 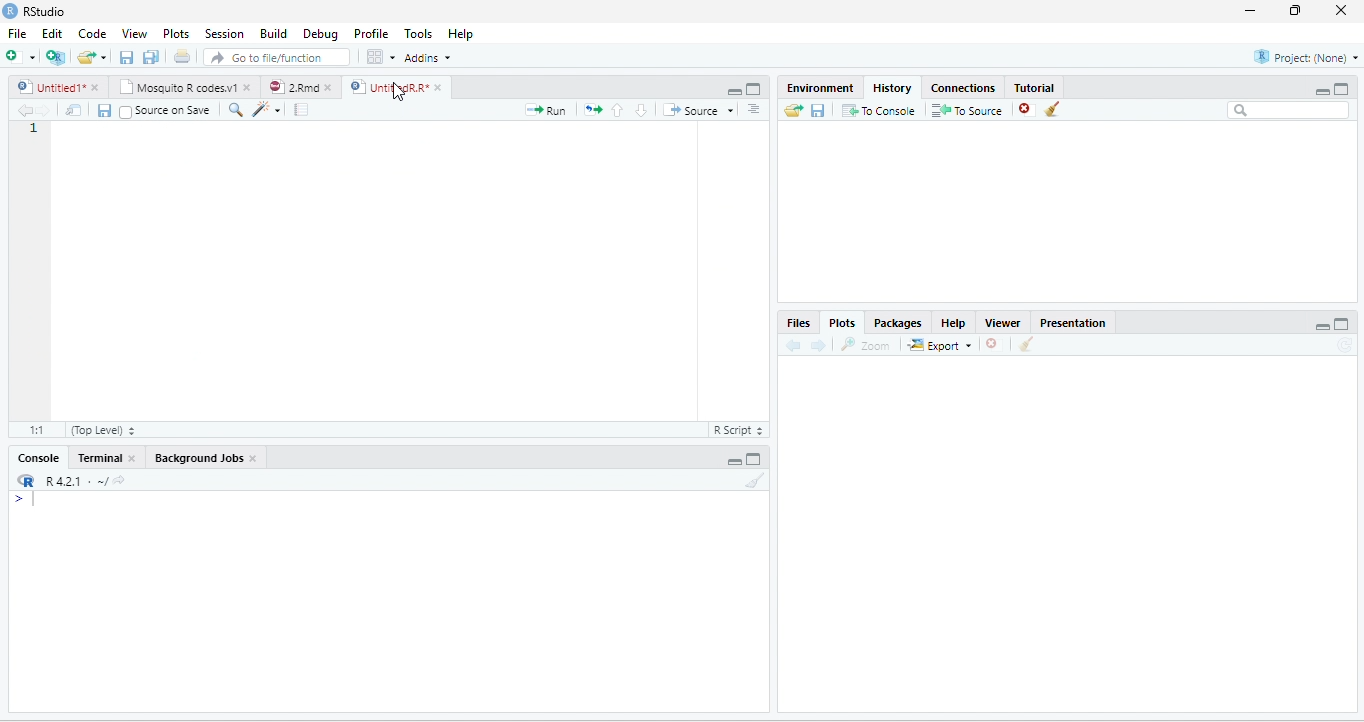 I want to click on close, so click(x=328, y=87).